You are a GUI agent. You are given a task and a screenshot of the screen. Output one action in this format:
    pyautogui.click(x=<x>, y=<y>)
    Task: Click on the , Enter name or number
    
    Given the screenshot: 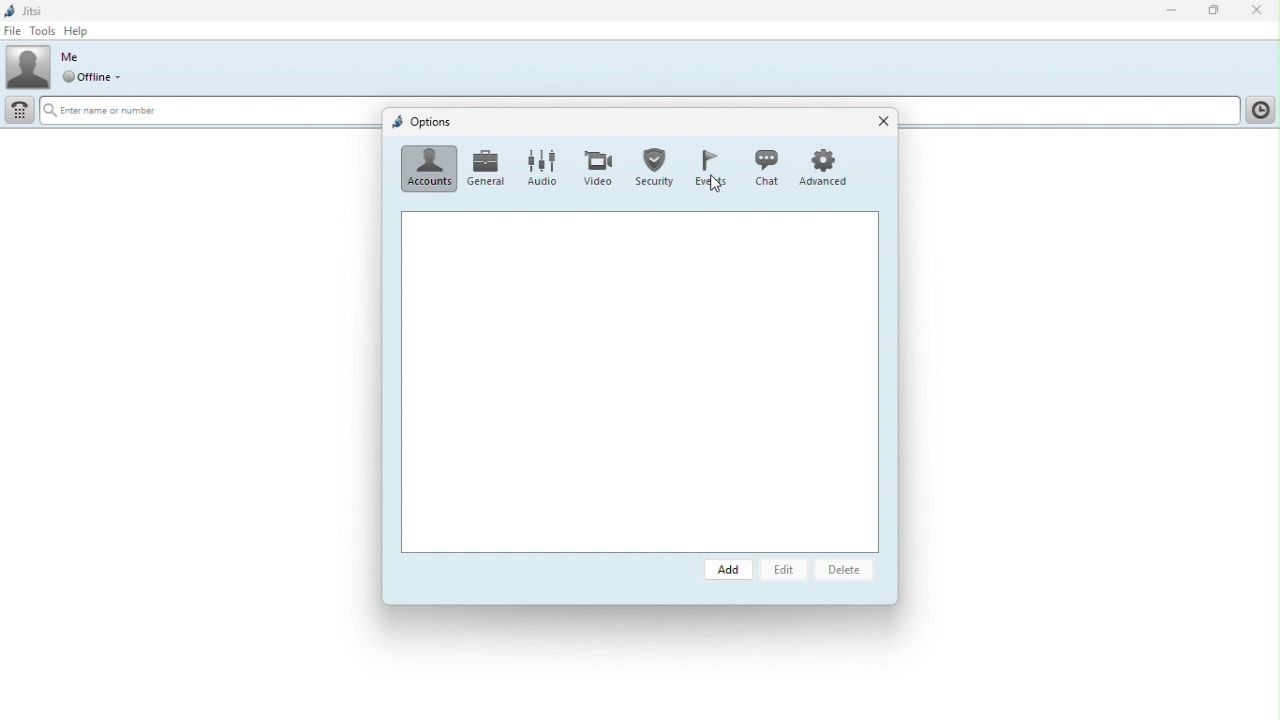 What is the action you would take?
    pyautogui.click(x=108, y=110)
    